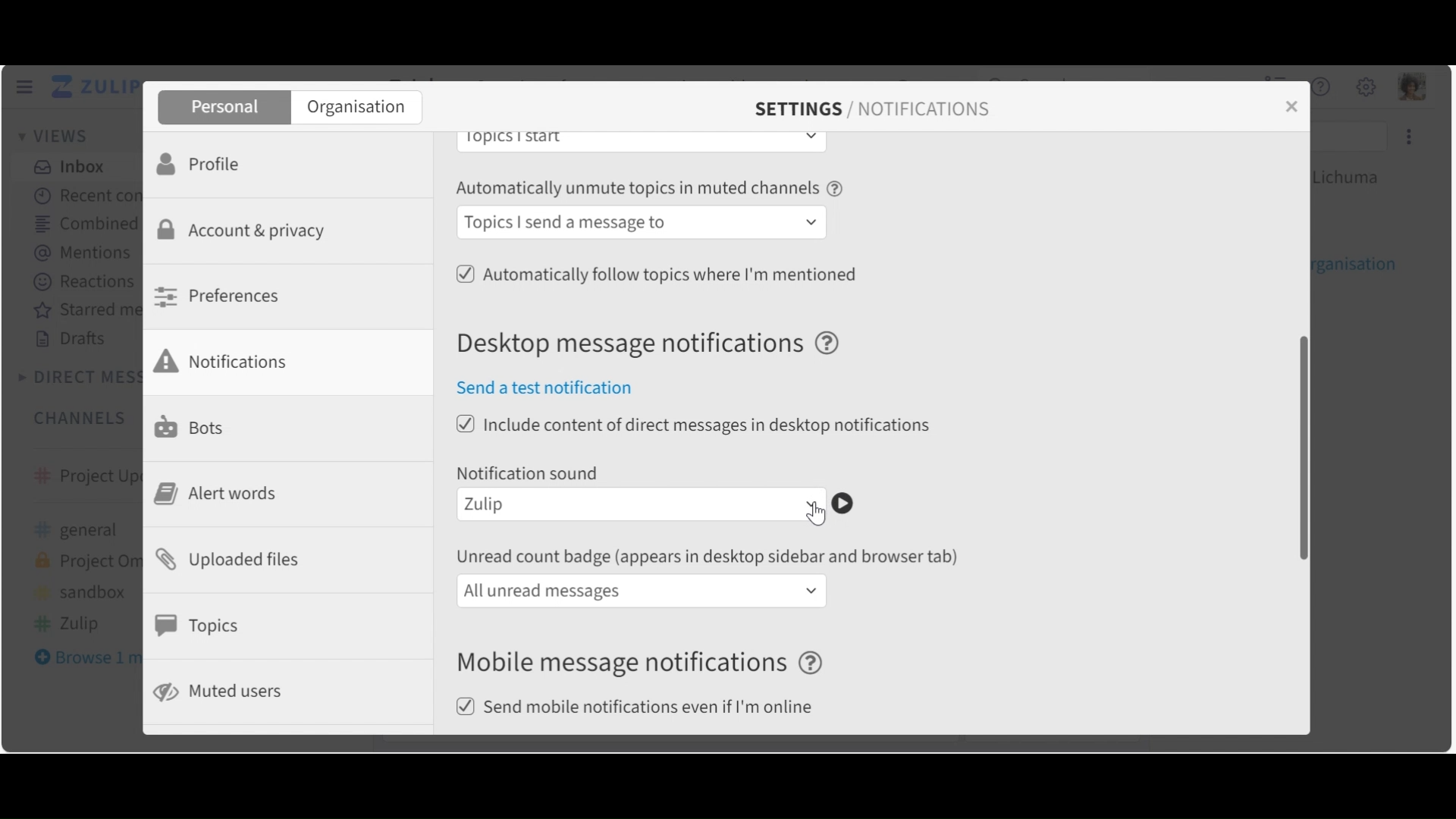  Describe the element at coordinates (221, 692) in the screenshot. I see `Muted users` at that location.